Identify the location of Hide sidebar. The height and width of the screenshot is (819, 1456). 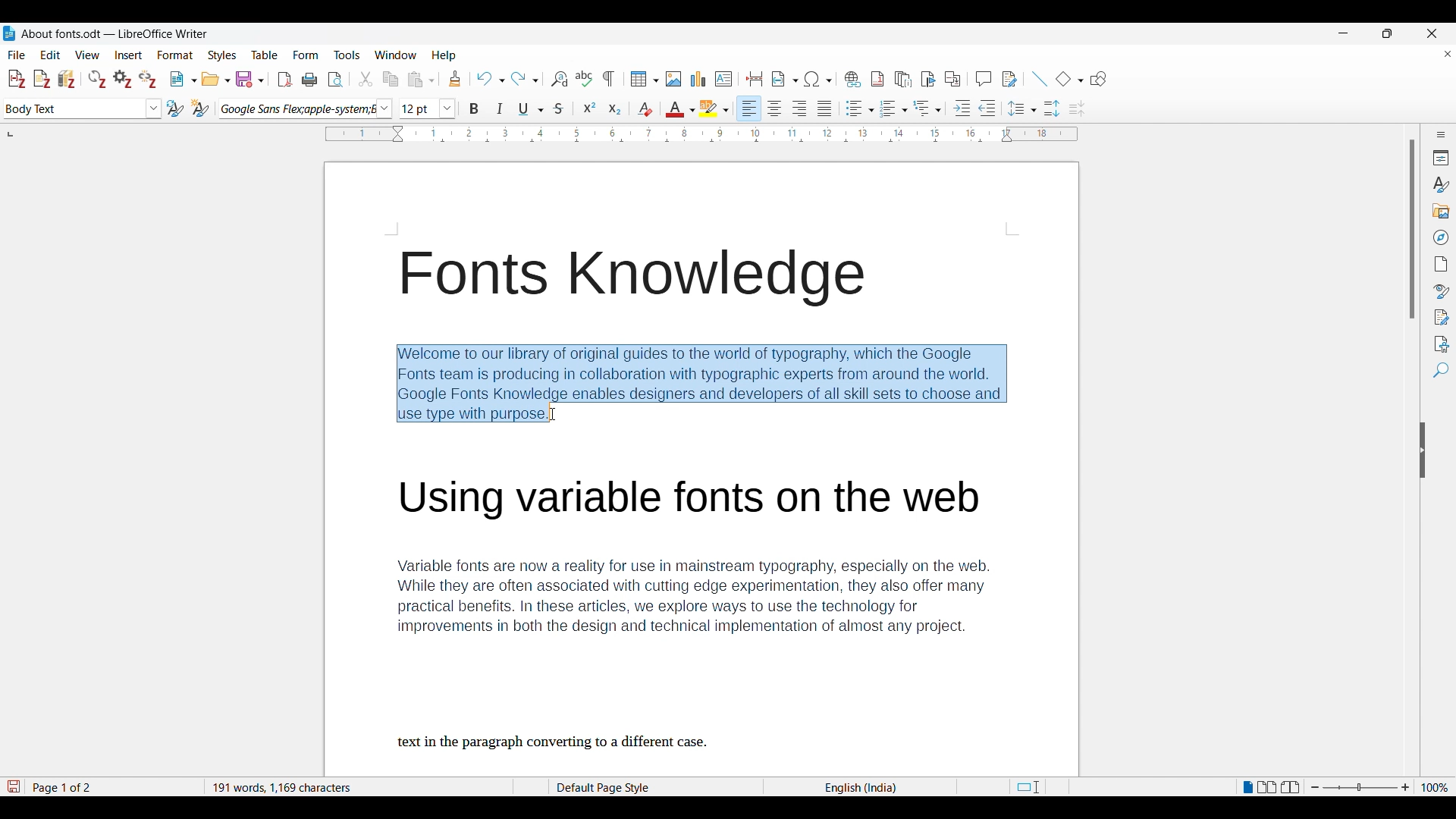
(1423, 450).